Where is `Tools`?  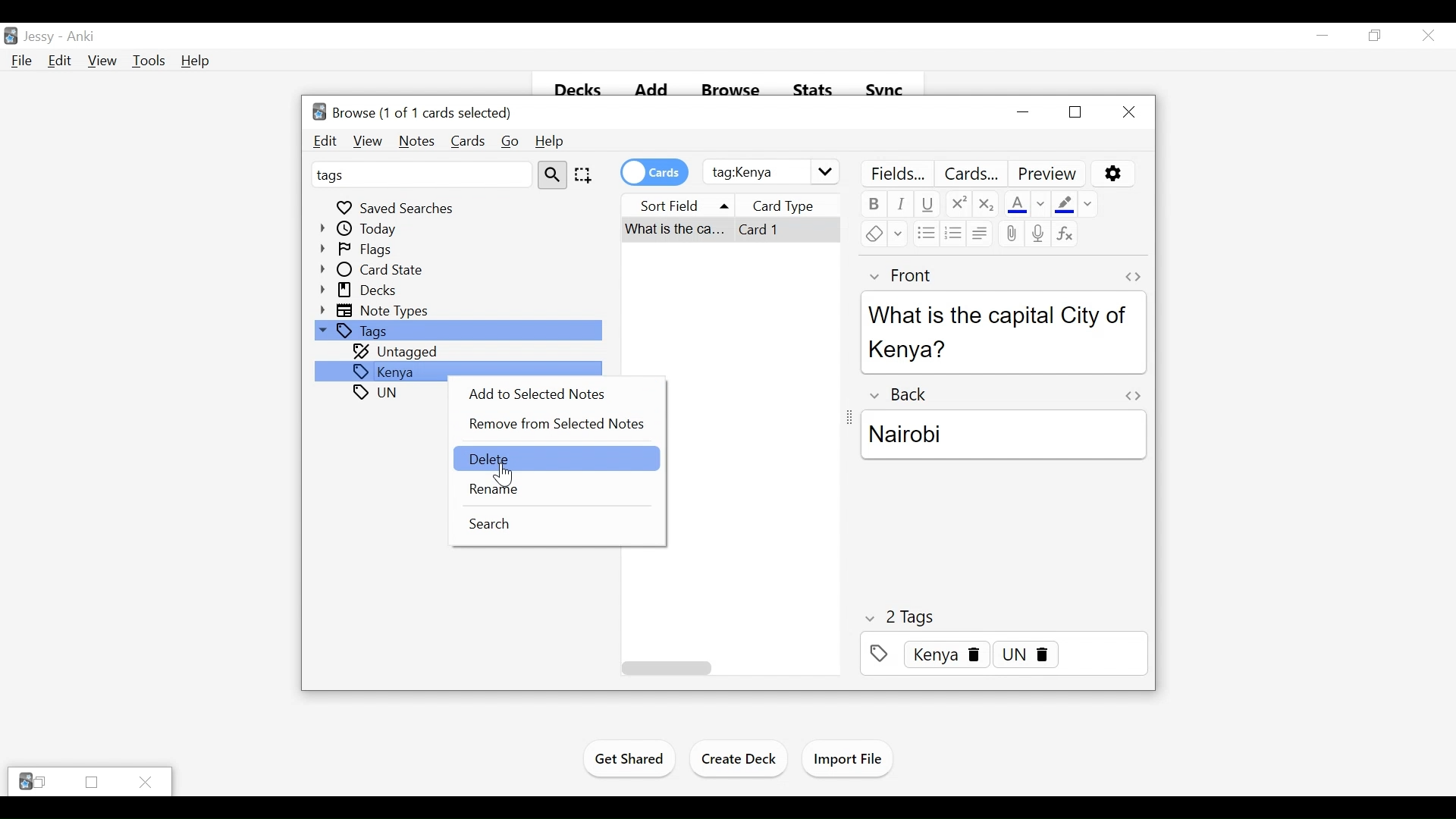
Tools is located at coordinates (149, 61).